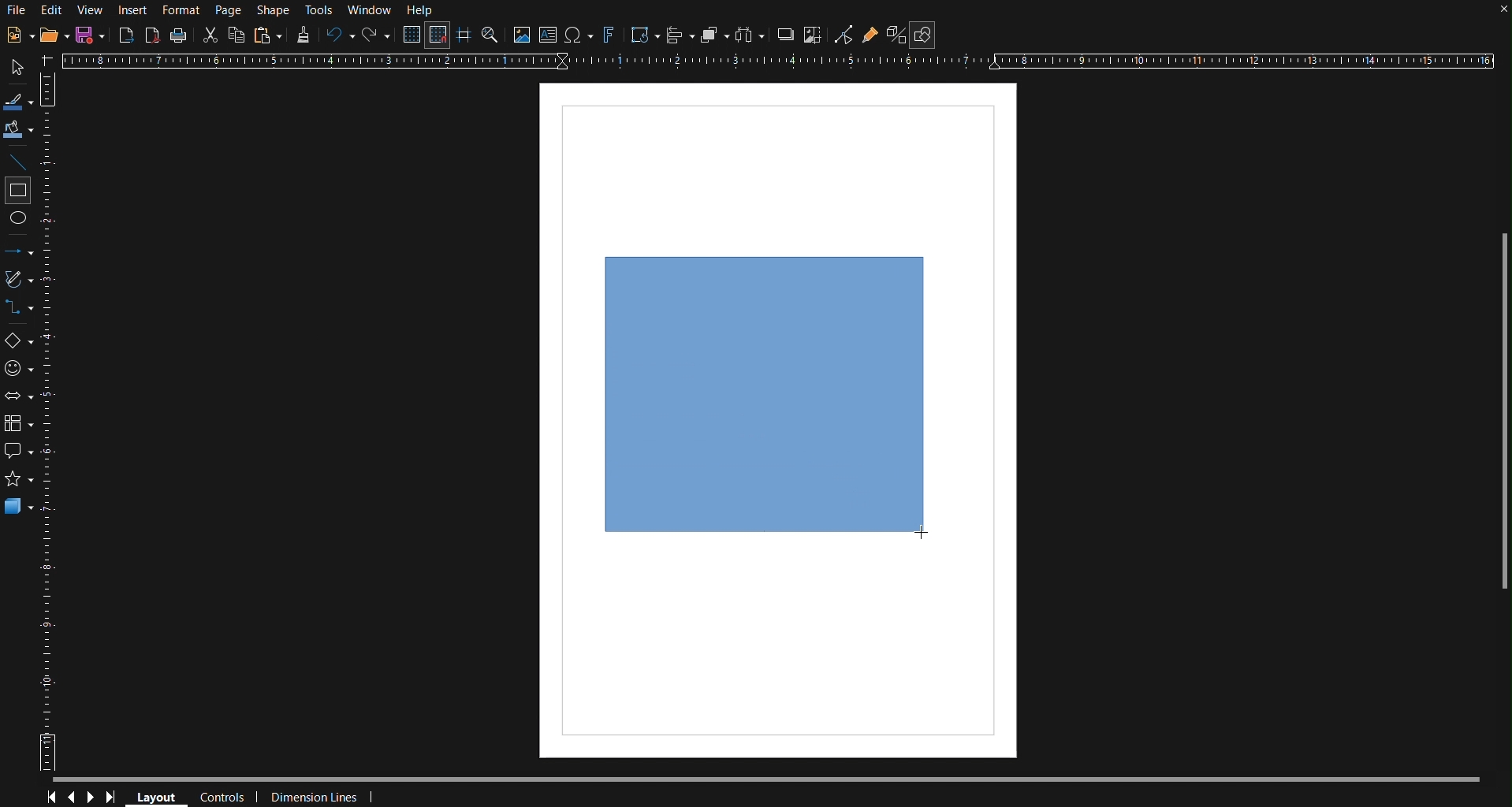 The height and width of the screenshot is (807, 1512). Describe the element at coordinates (16, 12) in the screenshot. I see `File` at that location.